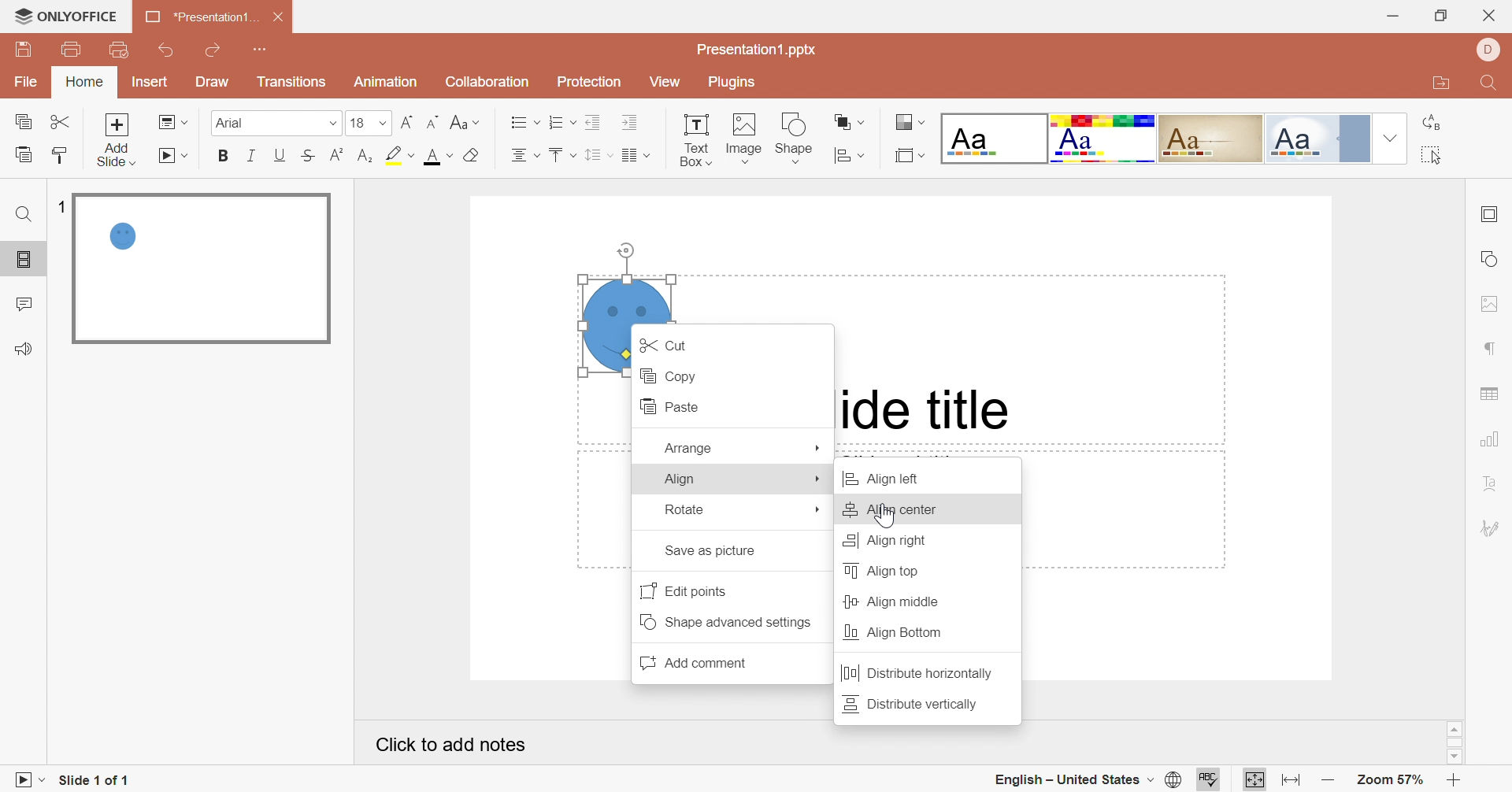 Image resolution: width=1512 pixels, height=792 pixels. What do you see at coordinates (1212, 136) in the screenshot?
I see `Classic` at bounding box center [1212, 136].